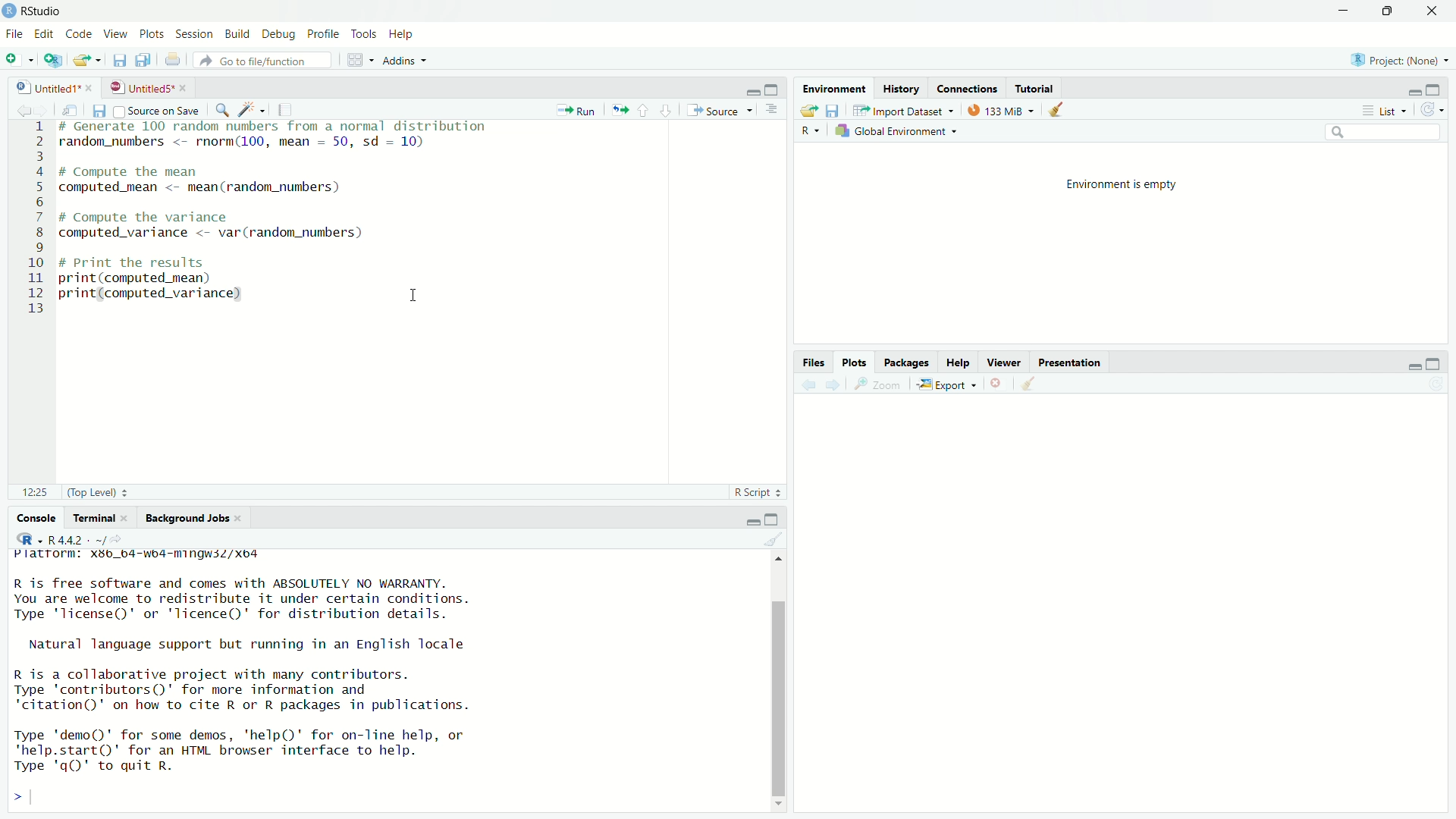 The image size is (1456, 819). Describe the element at coordinates (252, 690) in the screenshot. I see `R is a collaborative project with many contributors.
Type 'contributors()' for more information and
"citation" on how to cite R or R packages in publications.` at that location.